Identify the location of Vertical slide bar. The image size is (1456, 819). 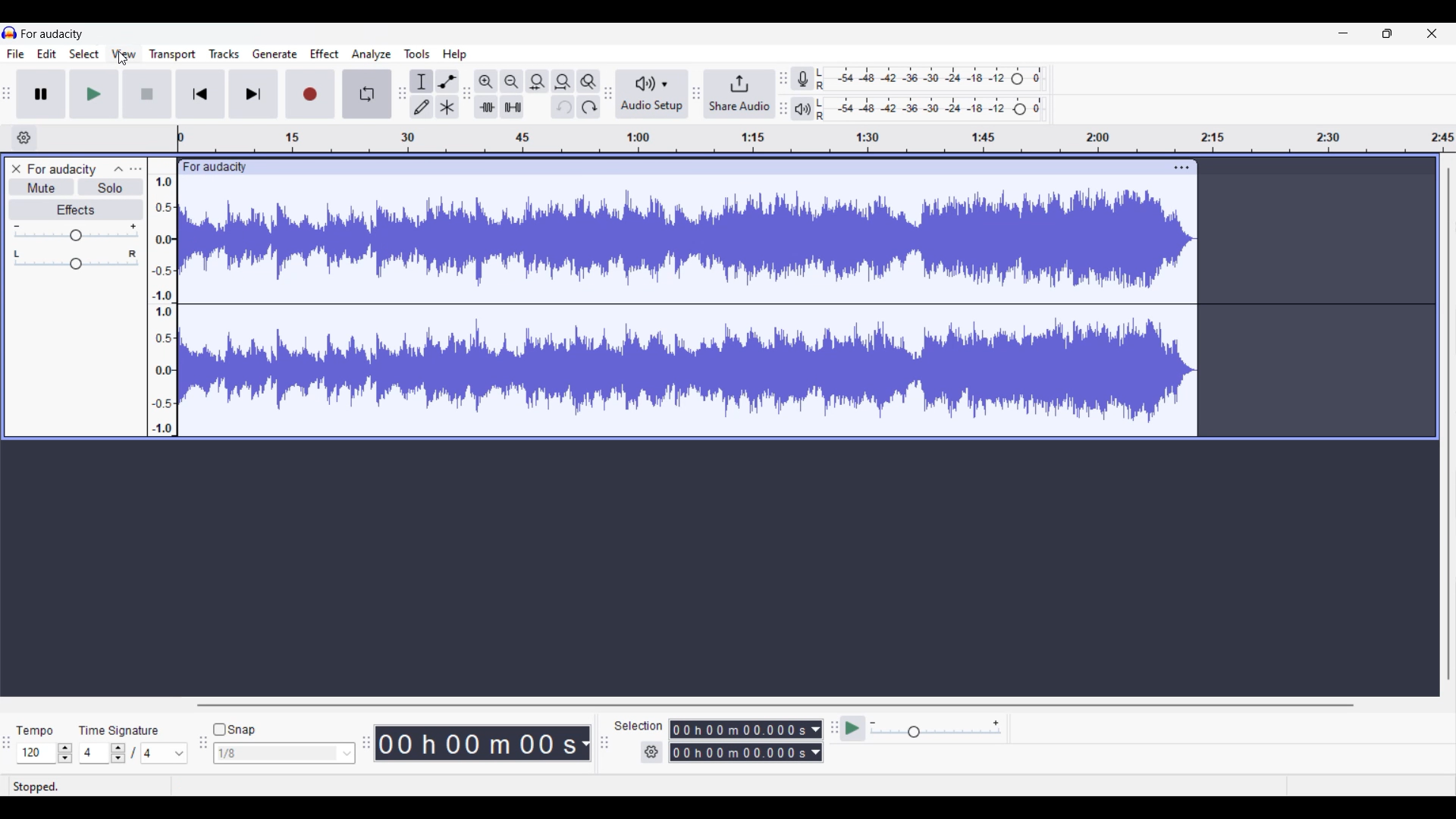
(1448, 425).